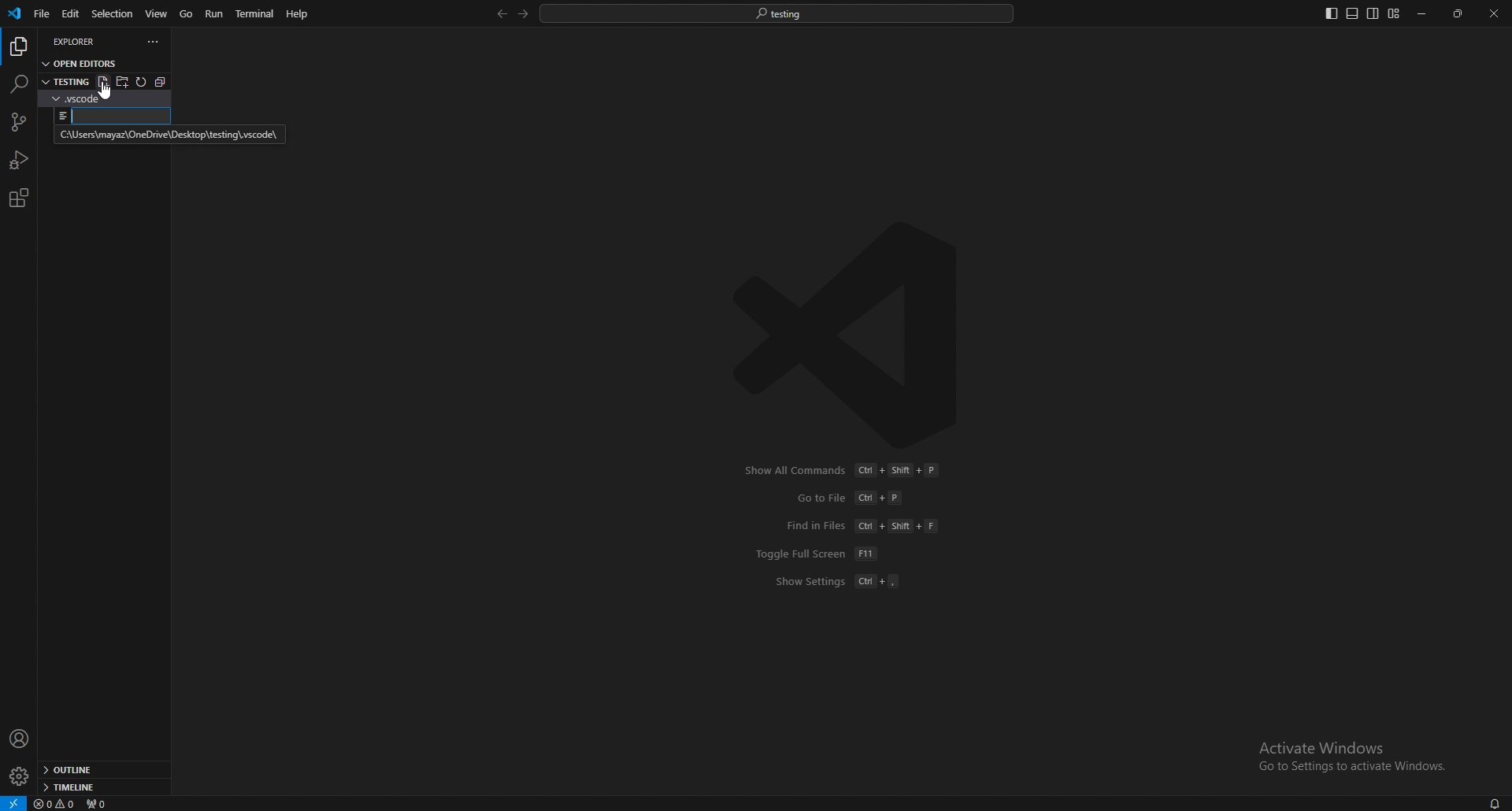 Image resolution: width=1512 pixels, height=811 pixels. Describe the element at coordinates (1354, 749) in the screenshot. I see `activate windows` at that location.